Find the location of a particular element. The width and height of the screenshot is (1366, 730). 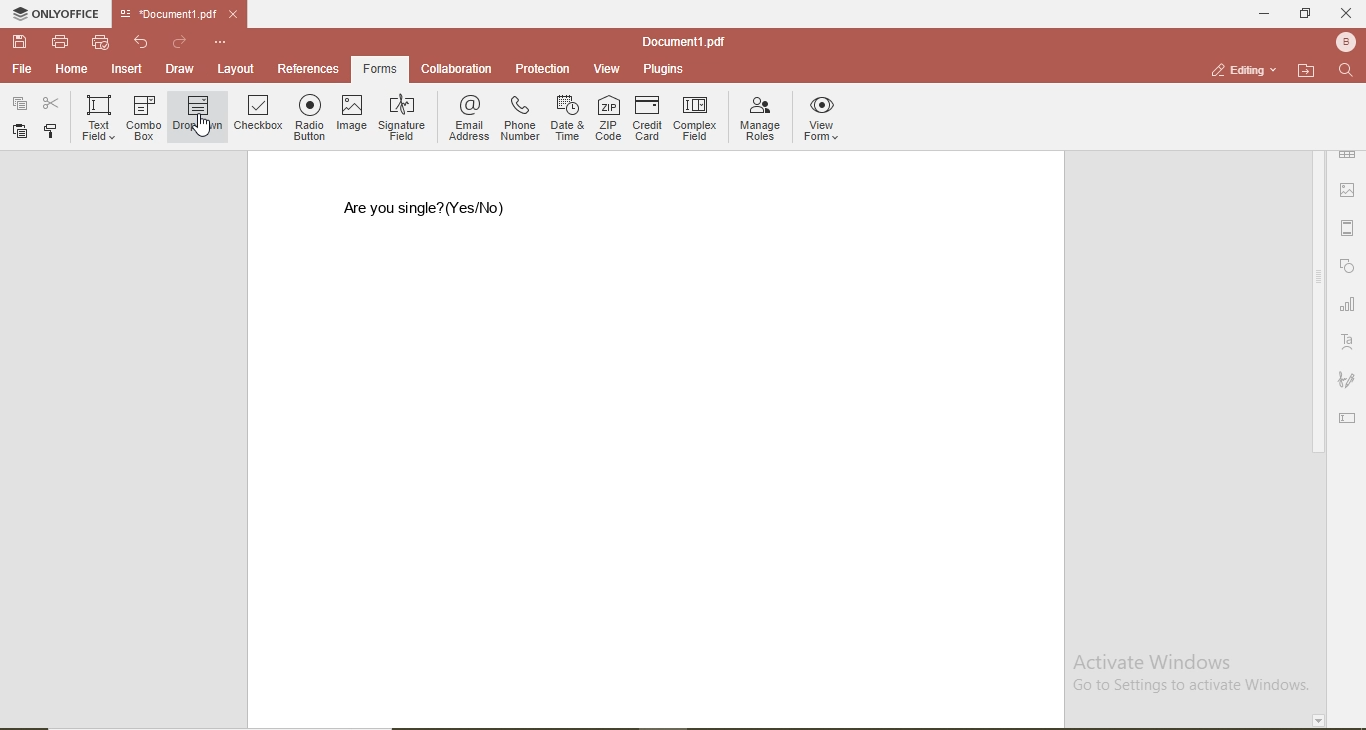

paste special is located at coordinates (22, 104).